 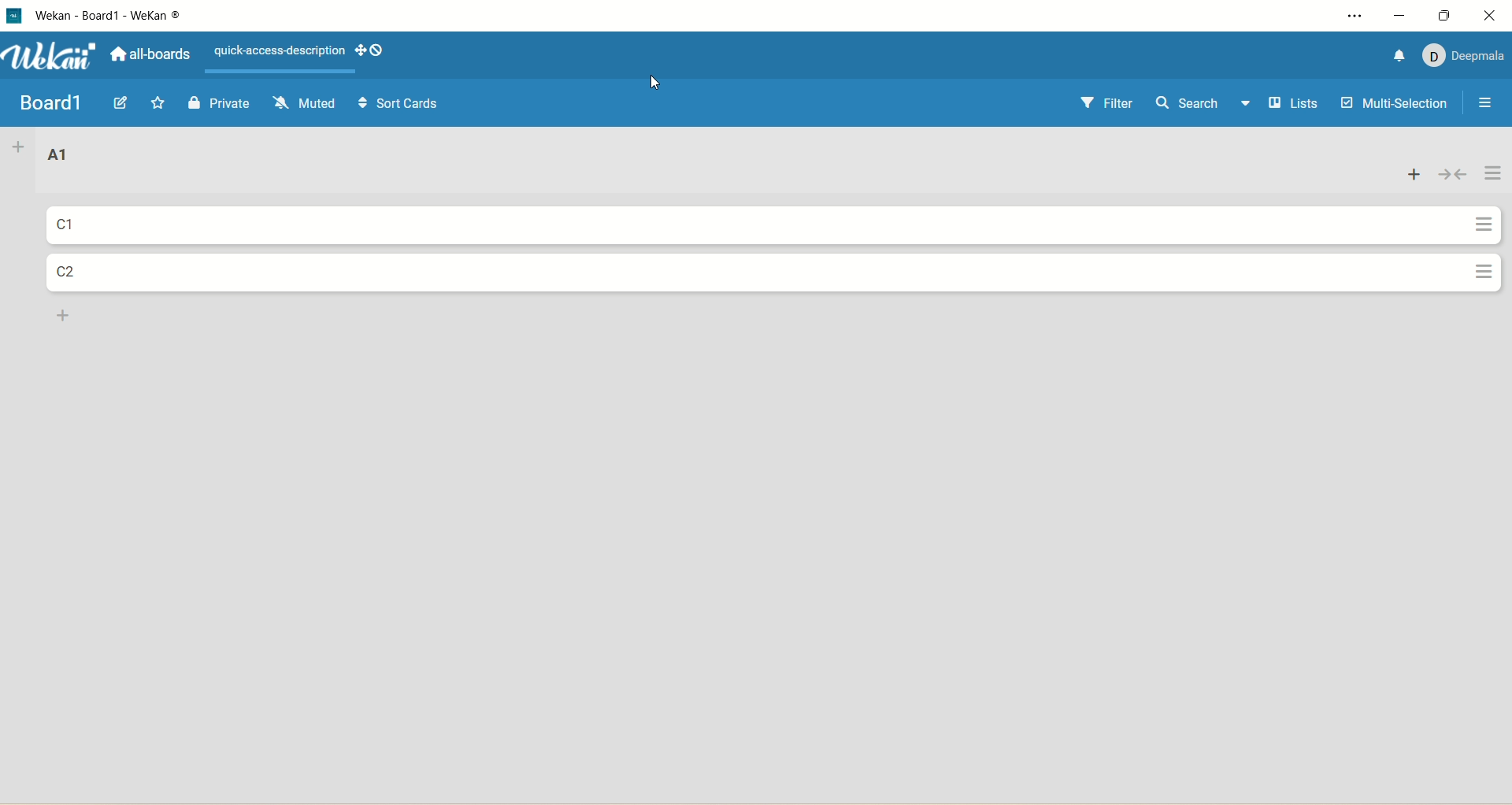 I want to click on show-desktop-drag-handles, so click(x=376, y=50).